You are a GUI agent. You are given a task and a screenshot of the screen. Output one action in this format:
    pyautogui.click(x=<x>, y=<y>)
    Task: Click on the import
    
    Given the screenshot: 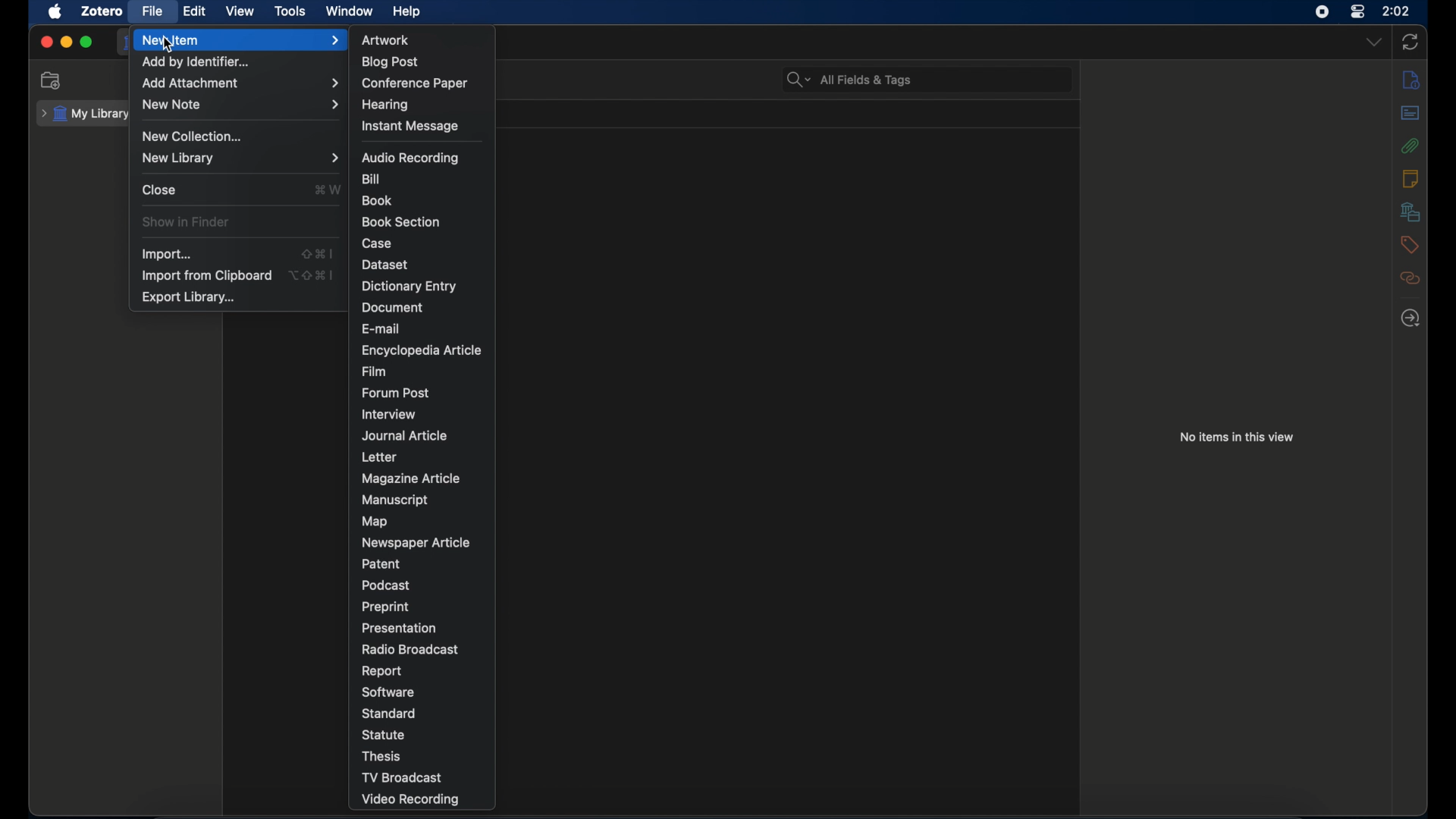 What is the action you would take?
    pyautogui.click(x=168, y=253)
    